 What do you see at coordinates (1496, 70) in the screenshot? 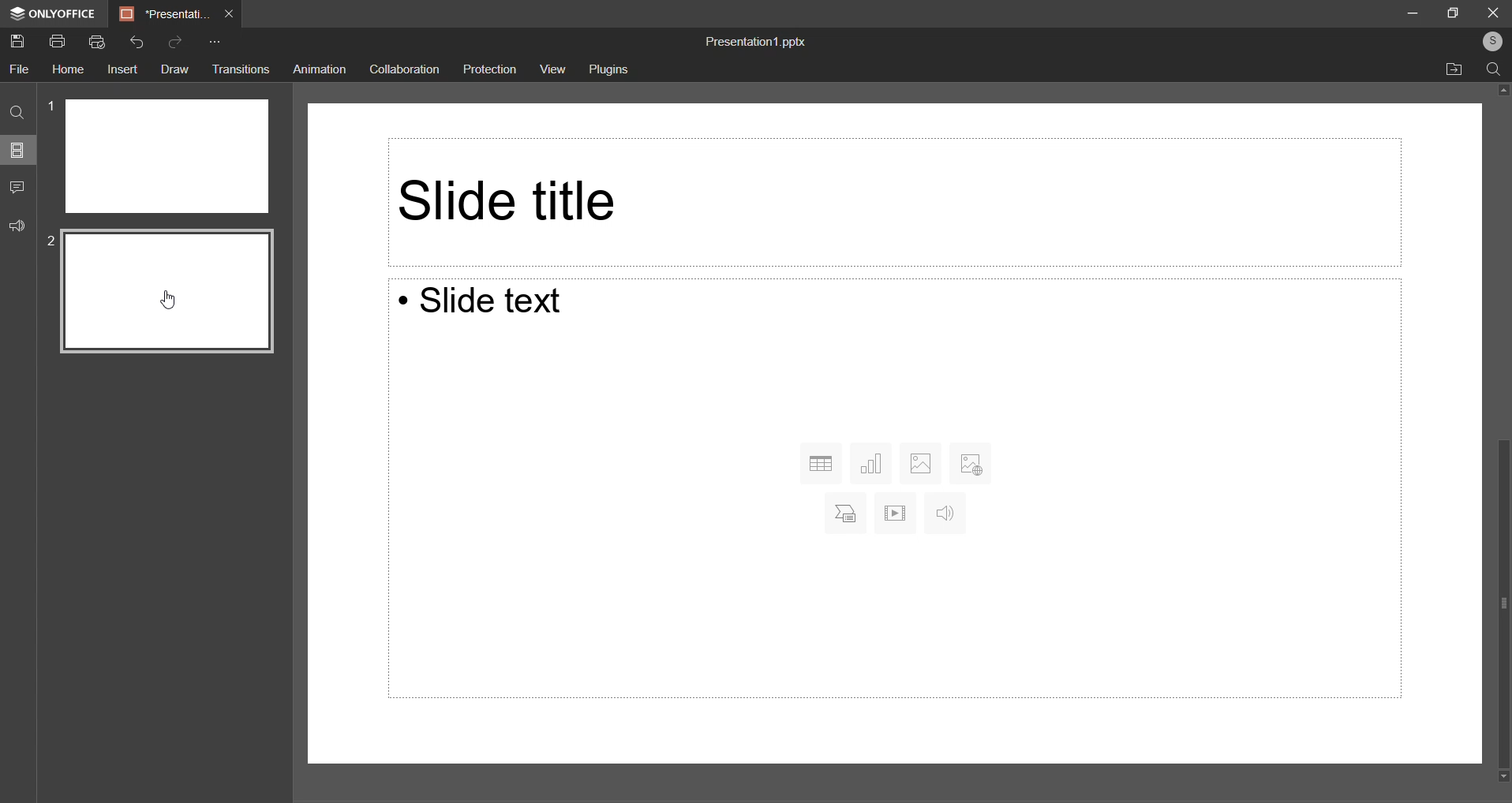
I see `Find` at bounding box center [1496, 70].